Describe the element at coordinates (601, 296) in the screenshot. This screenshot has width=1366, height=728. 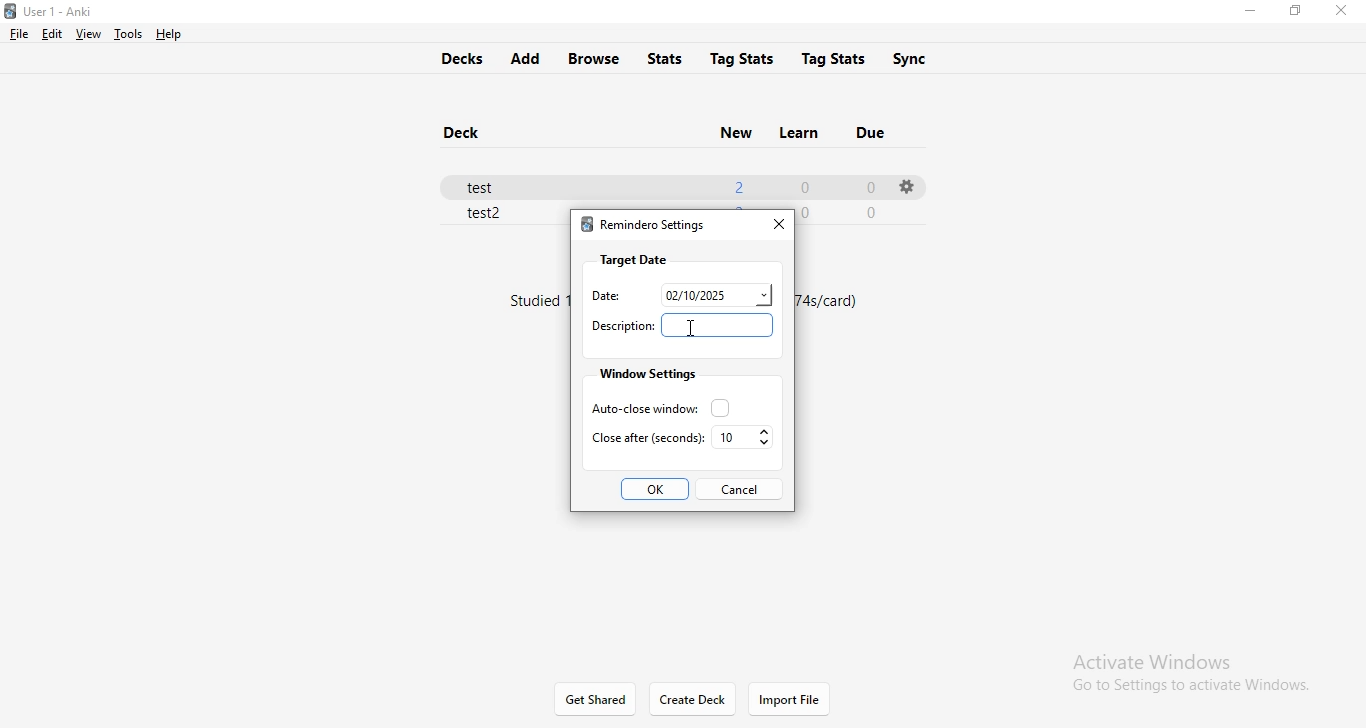
I see `date` at that location.